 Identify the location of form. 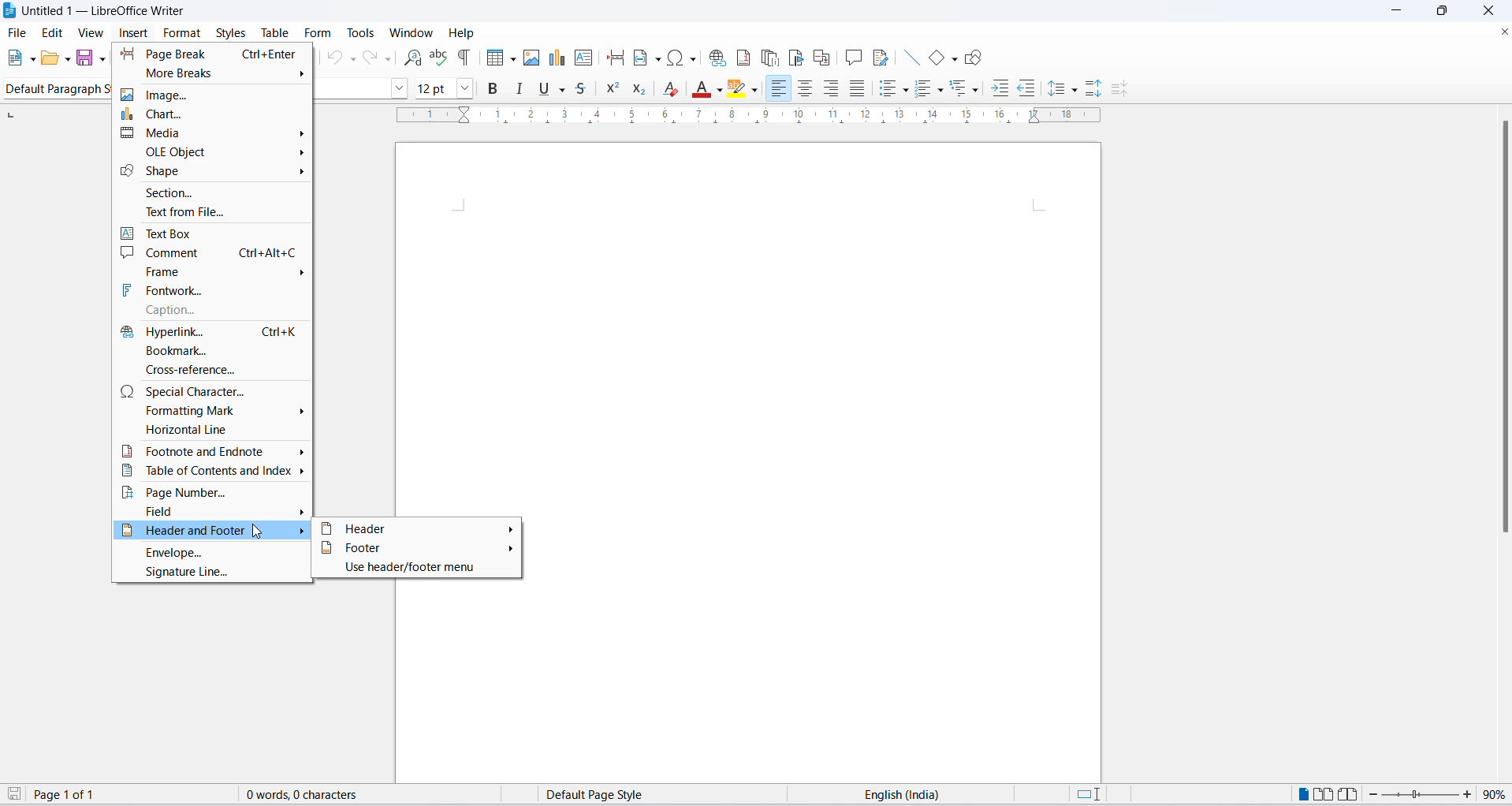
(317, 33).